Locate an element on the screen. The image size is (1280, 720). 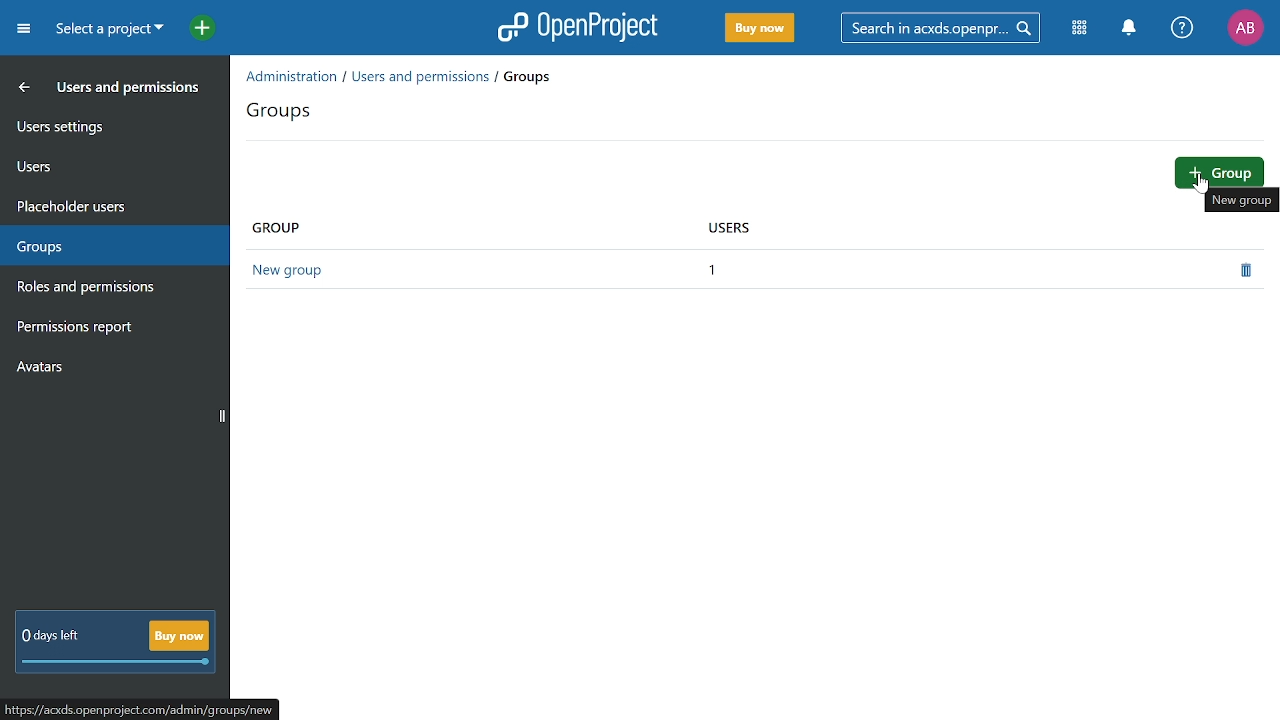
current page web address "htps://acxds.openproject.com/admin/groups " is located at coordinates (138, 709).